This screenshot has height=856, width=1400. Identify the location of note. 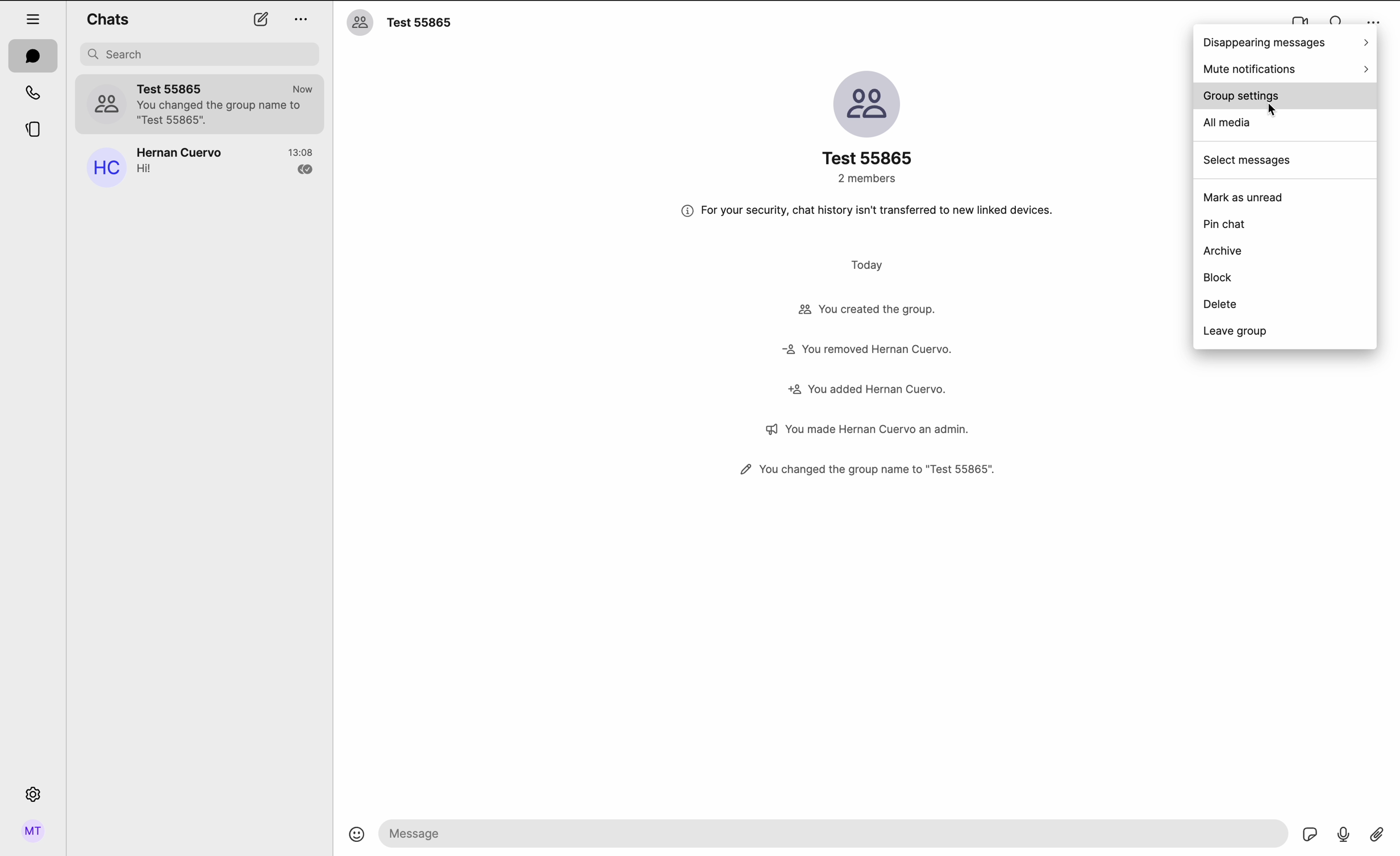
(862, 211).